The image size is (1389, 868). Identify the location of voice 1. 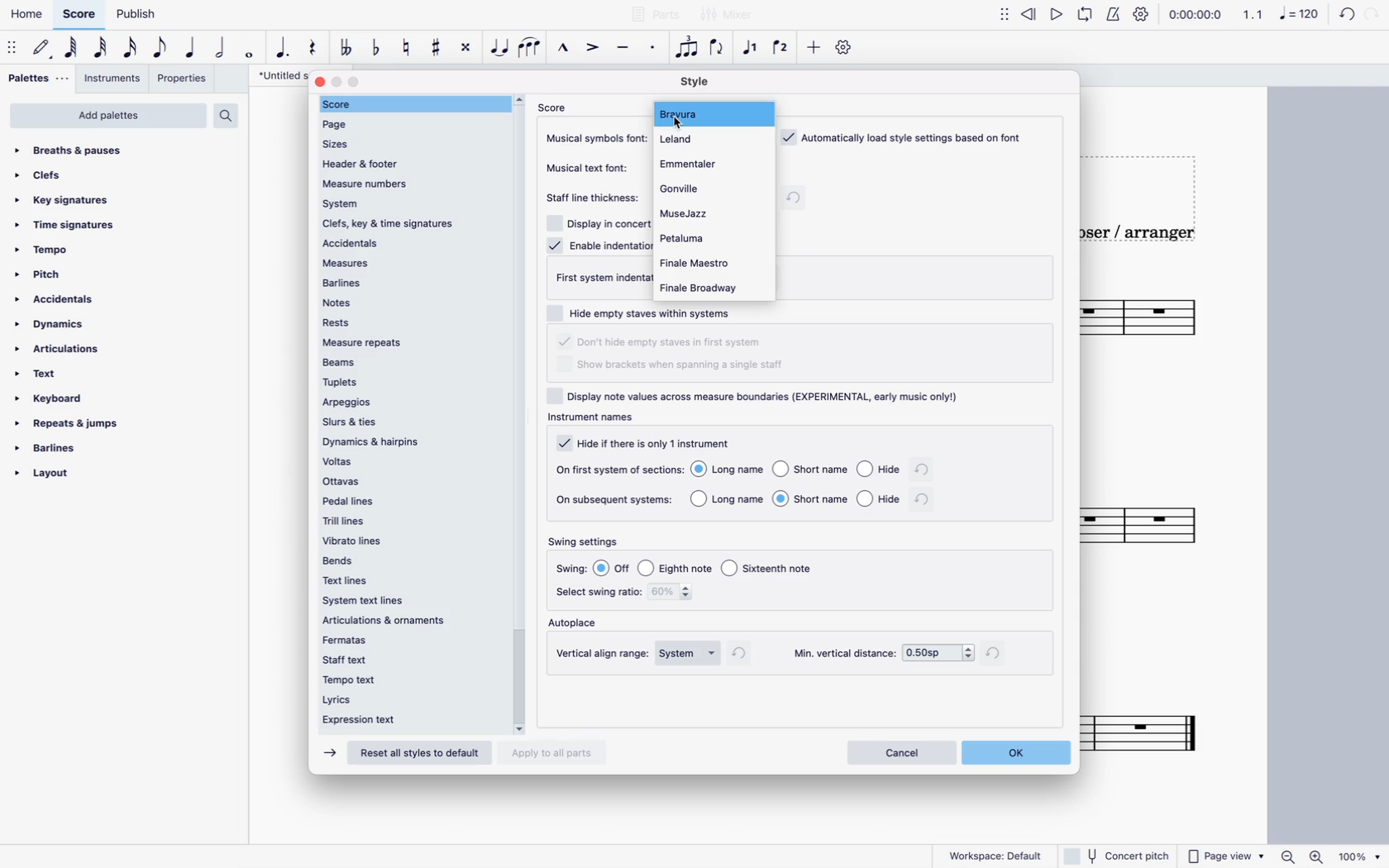
(748, 50).